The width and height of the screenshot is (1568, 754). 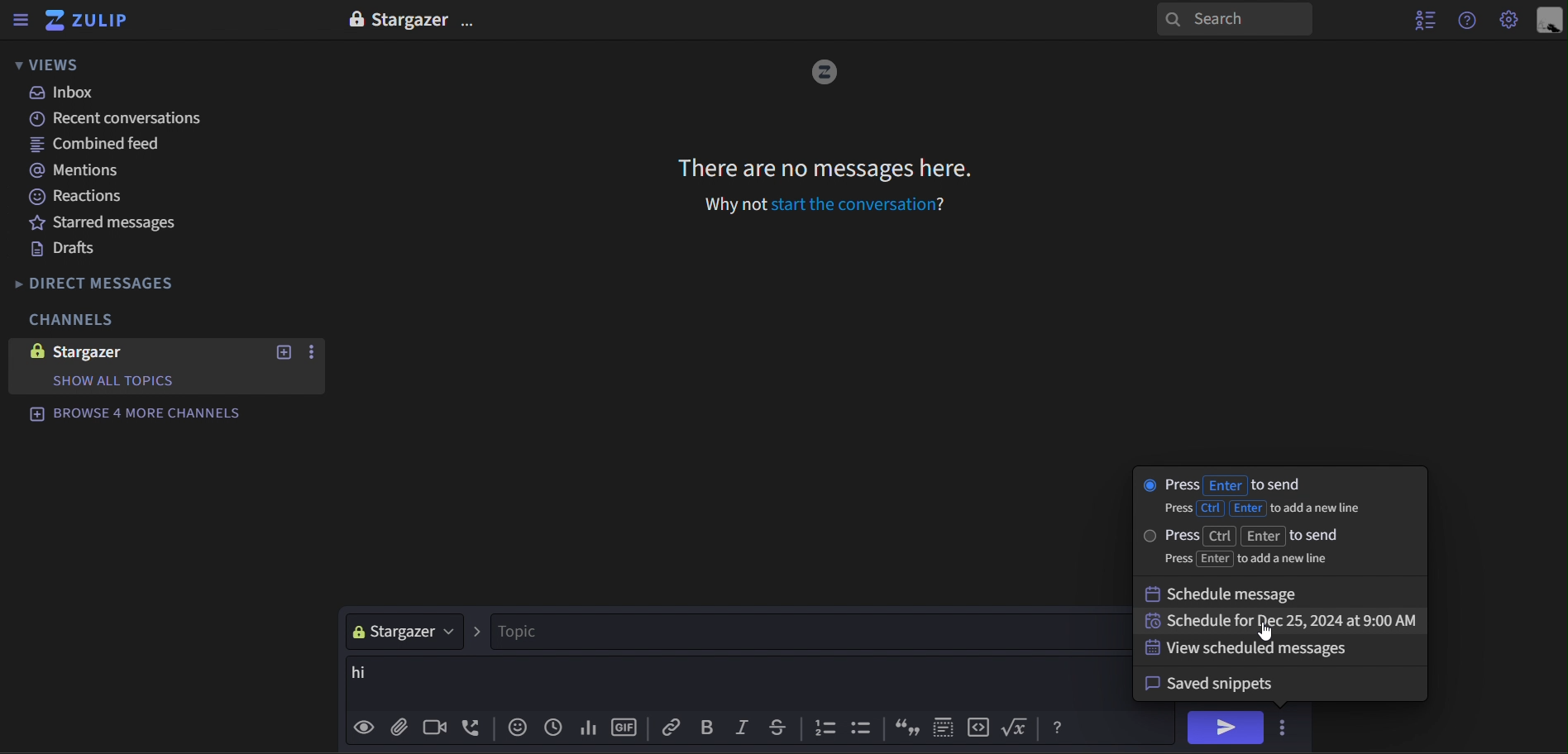 I want to click on show all Topics, so click(x=115, y=382).